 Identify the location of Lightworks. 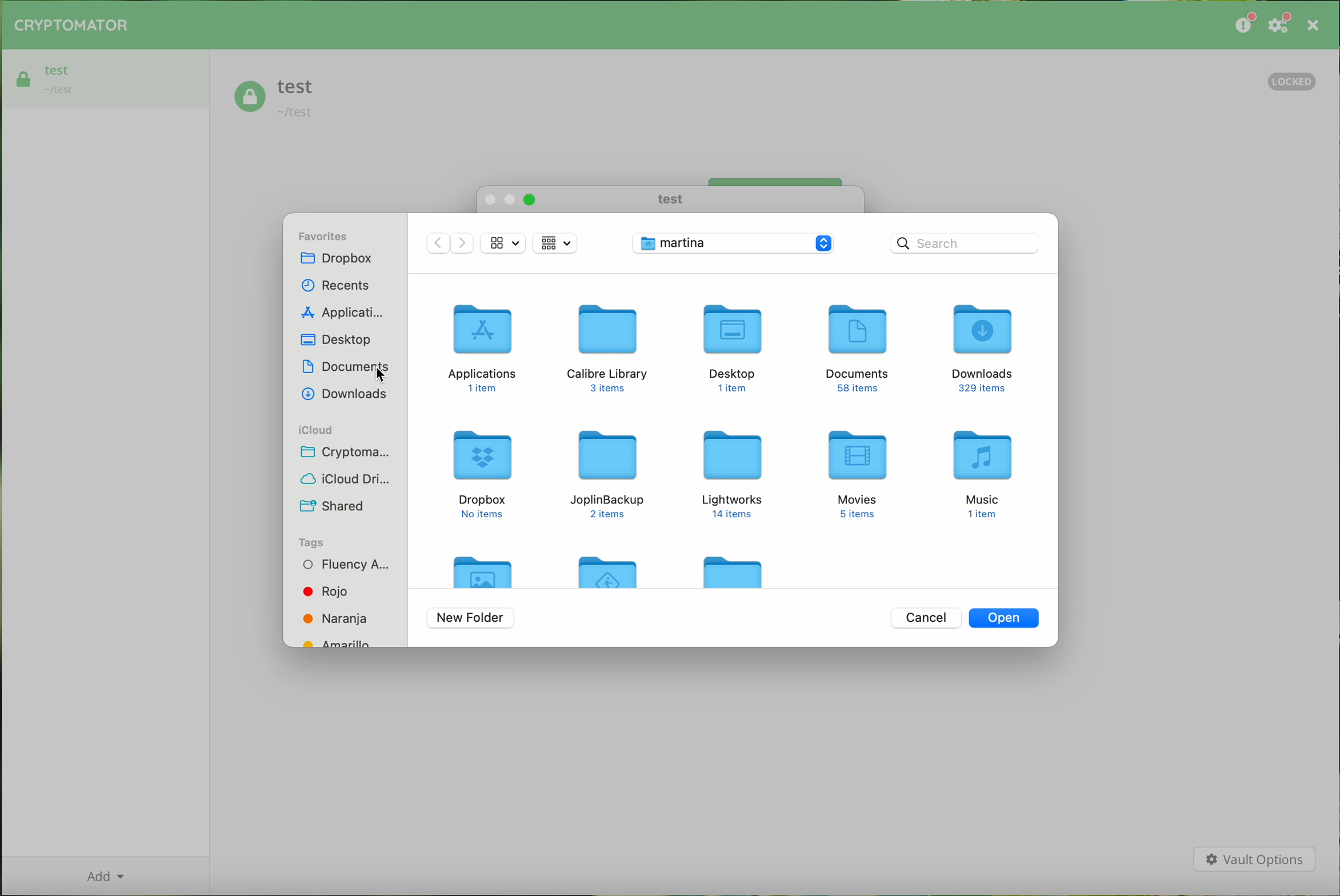
(733, 474).